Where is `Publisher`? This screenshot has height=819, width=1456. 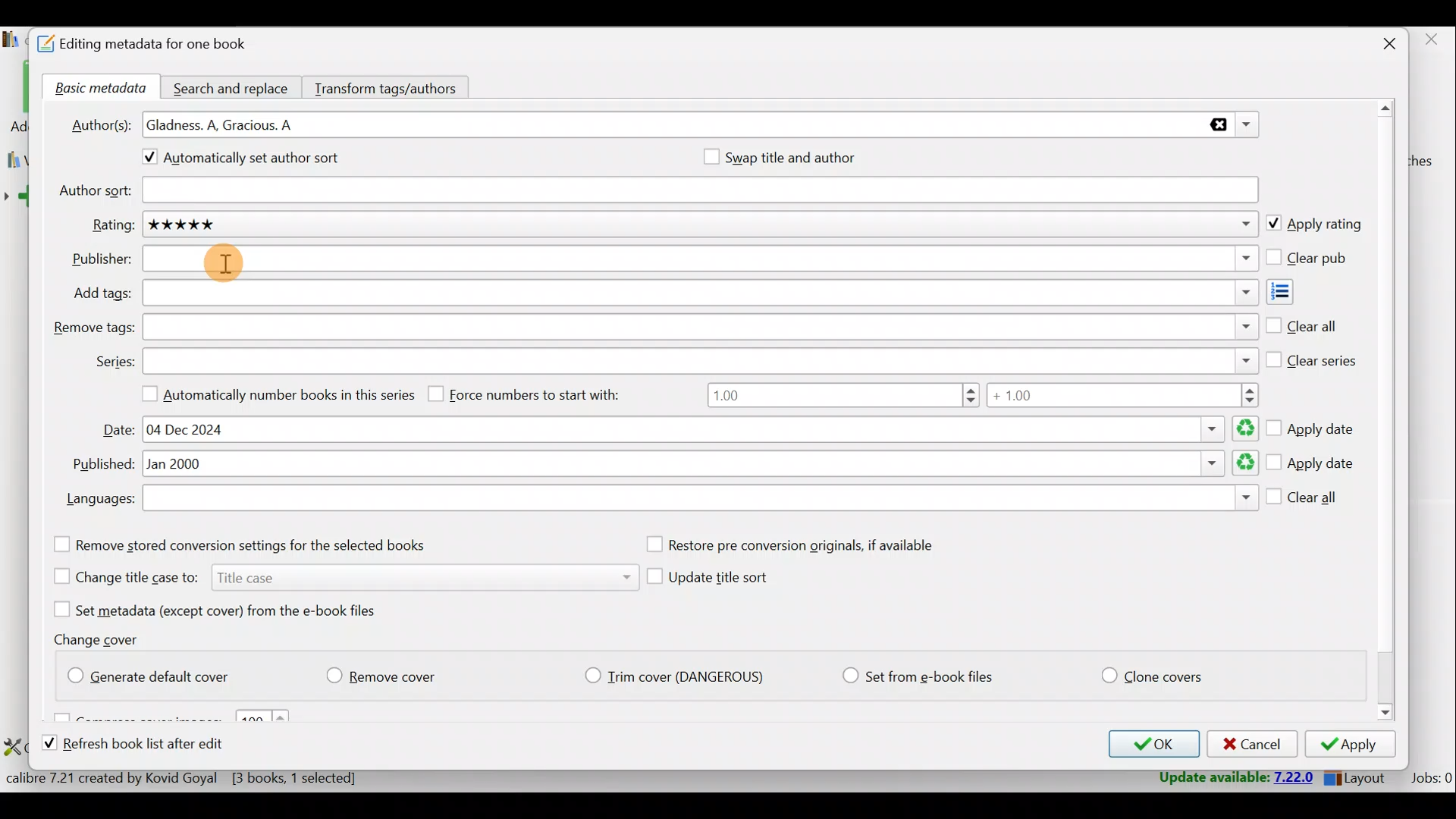
Publisher is located at coordinates (699, 260).